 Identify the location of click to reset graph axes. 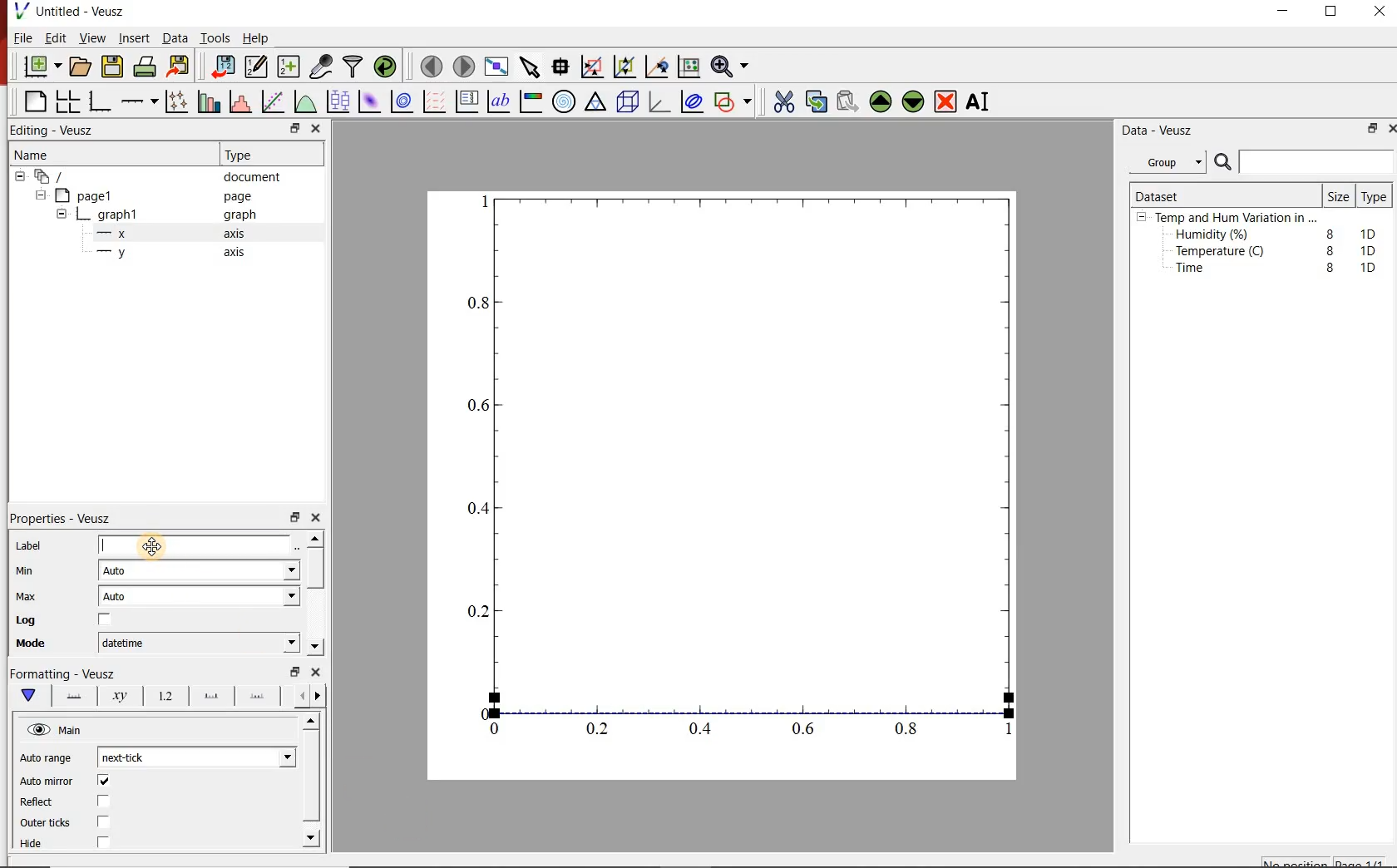
(686, 67).